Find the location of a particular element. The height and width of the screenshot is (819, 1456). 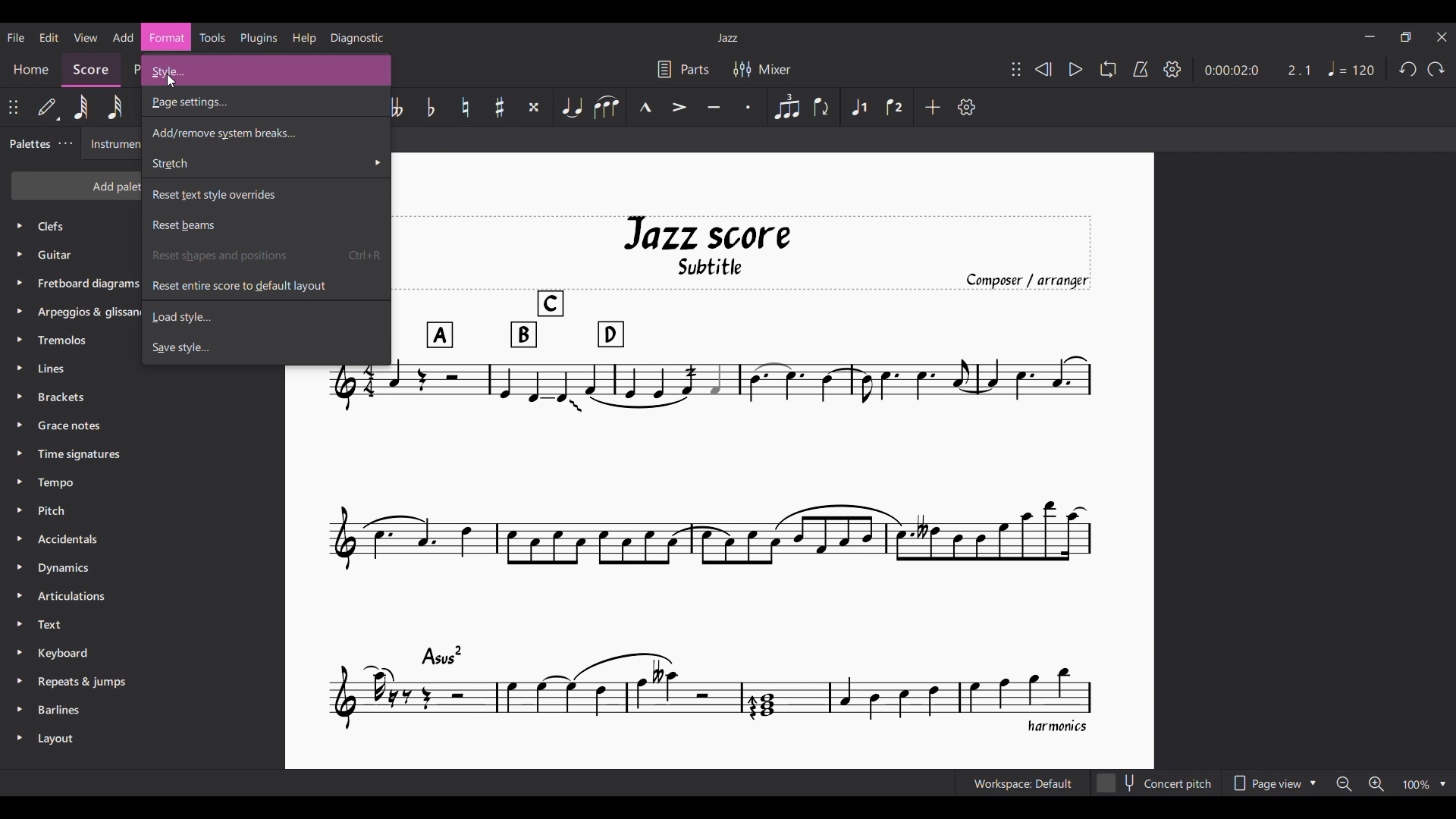

64th note is located at coordinates (81, 106).